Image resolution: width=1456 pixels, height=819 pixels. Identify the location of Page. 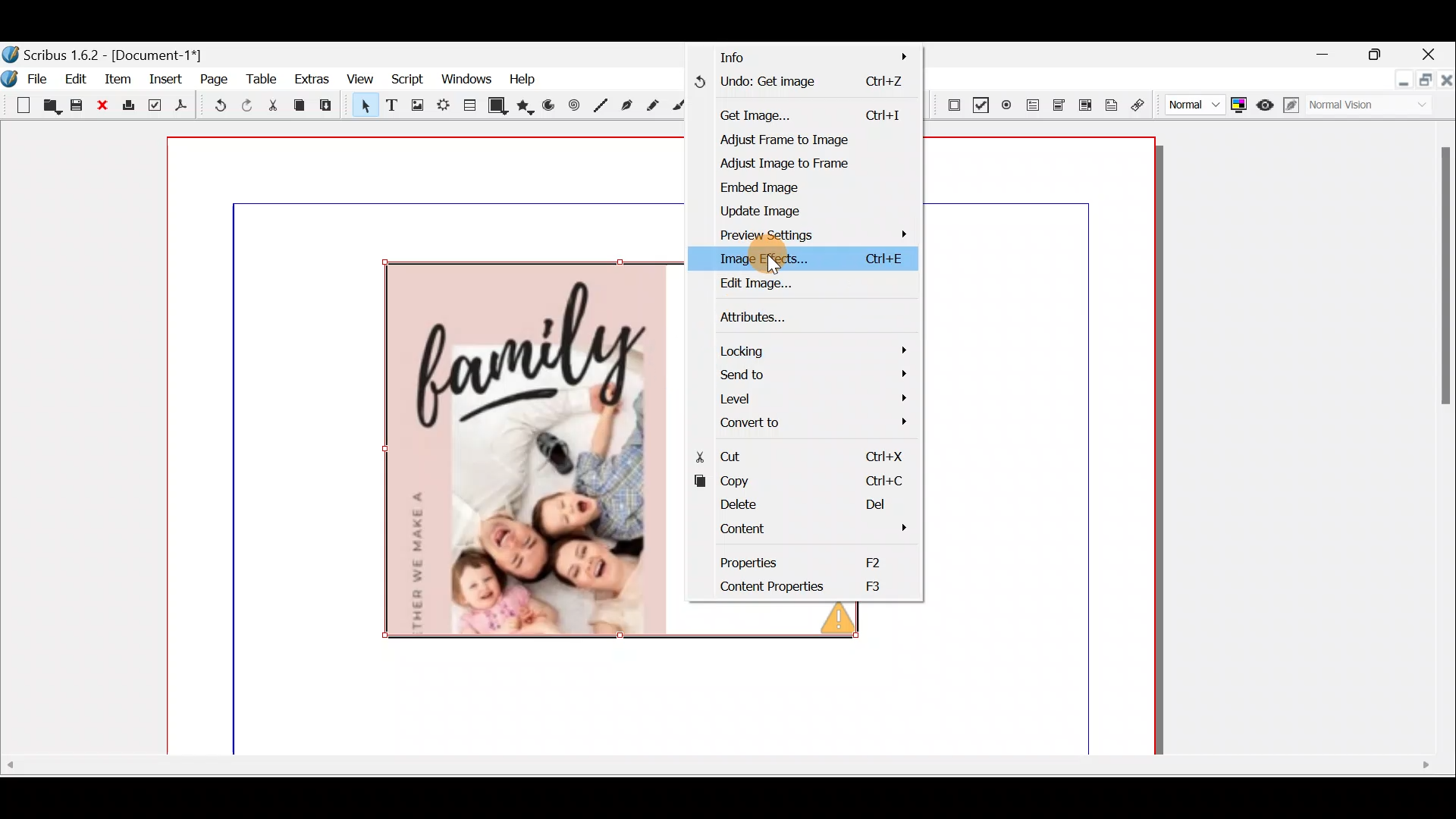
(215, 78).